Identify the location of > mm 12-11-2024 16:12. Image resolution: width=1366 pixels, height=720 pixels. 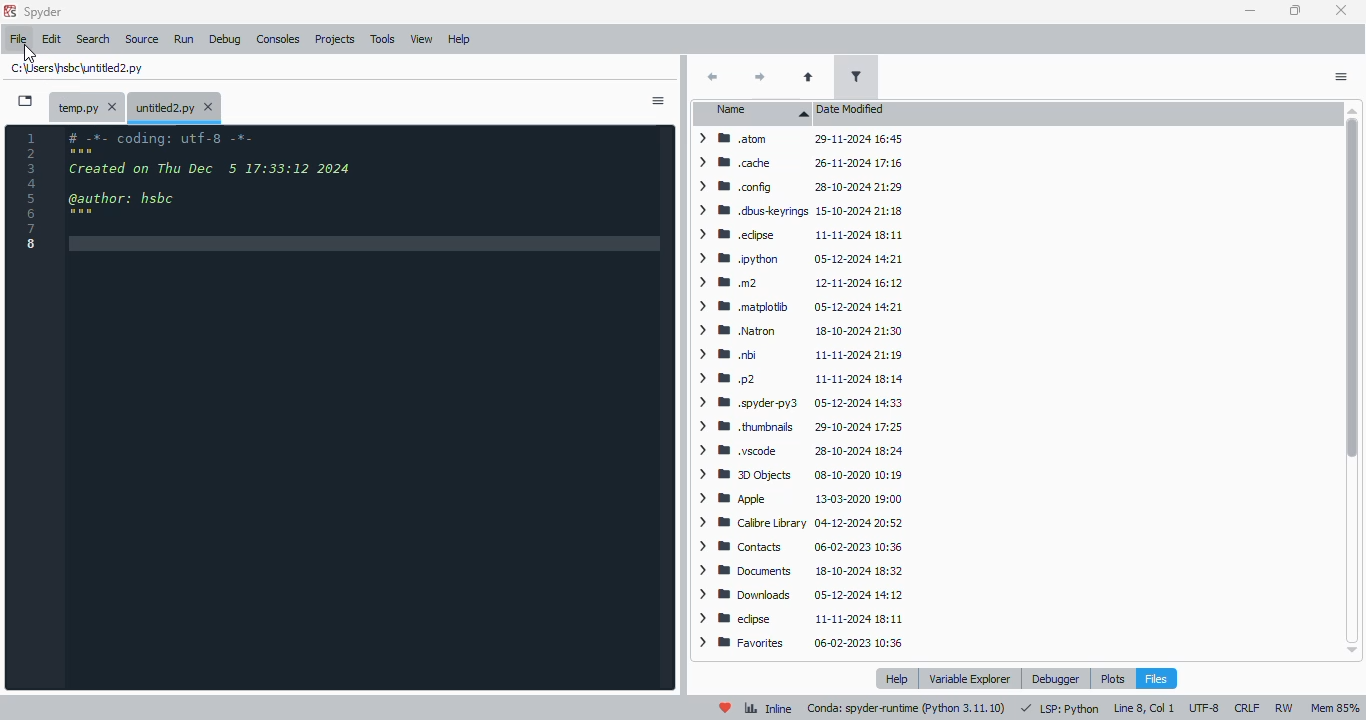
(800, 284).